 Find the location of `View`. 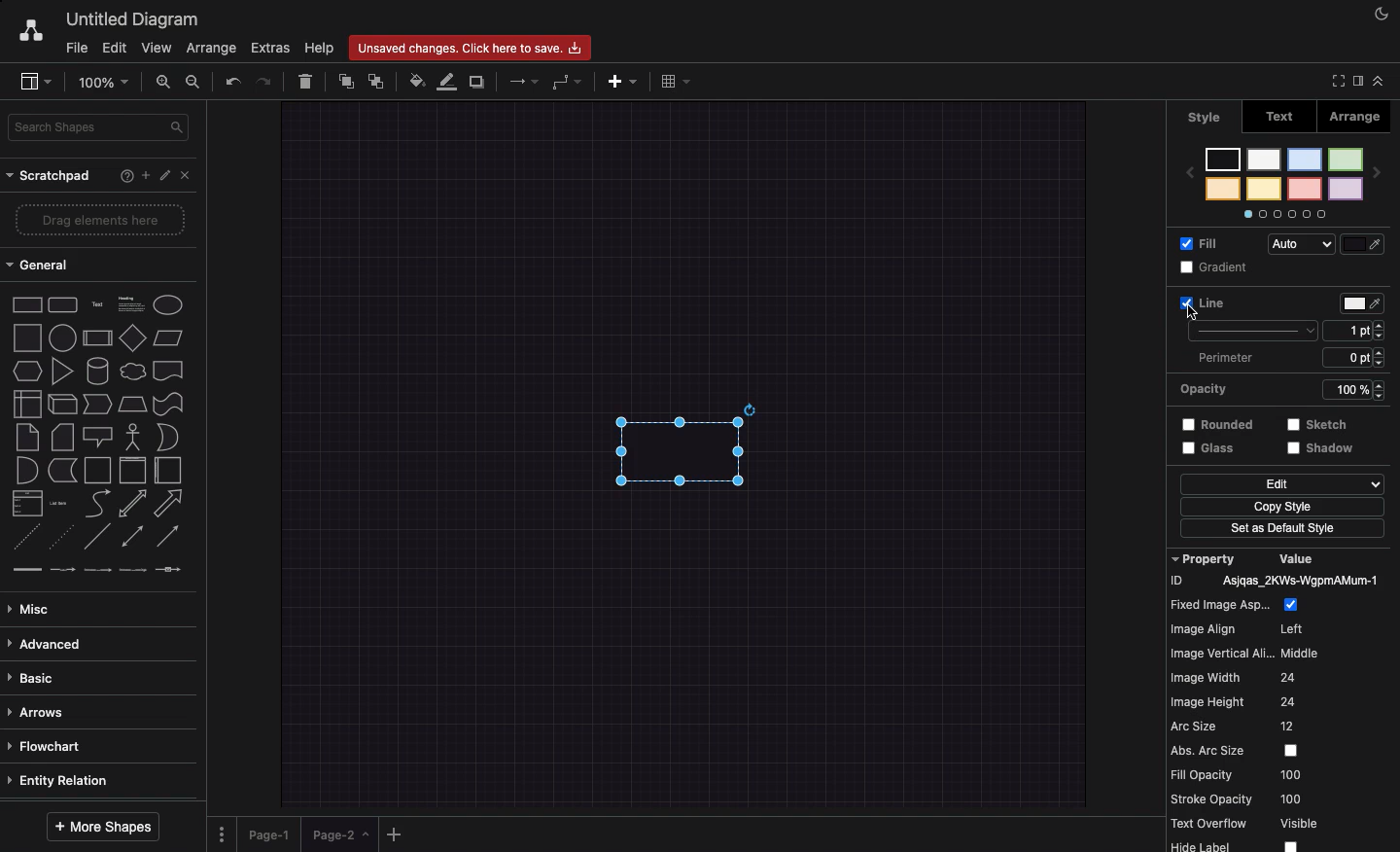

View is located at coordinates (158, 47).